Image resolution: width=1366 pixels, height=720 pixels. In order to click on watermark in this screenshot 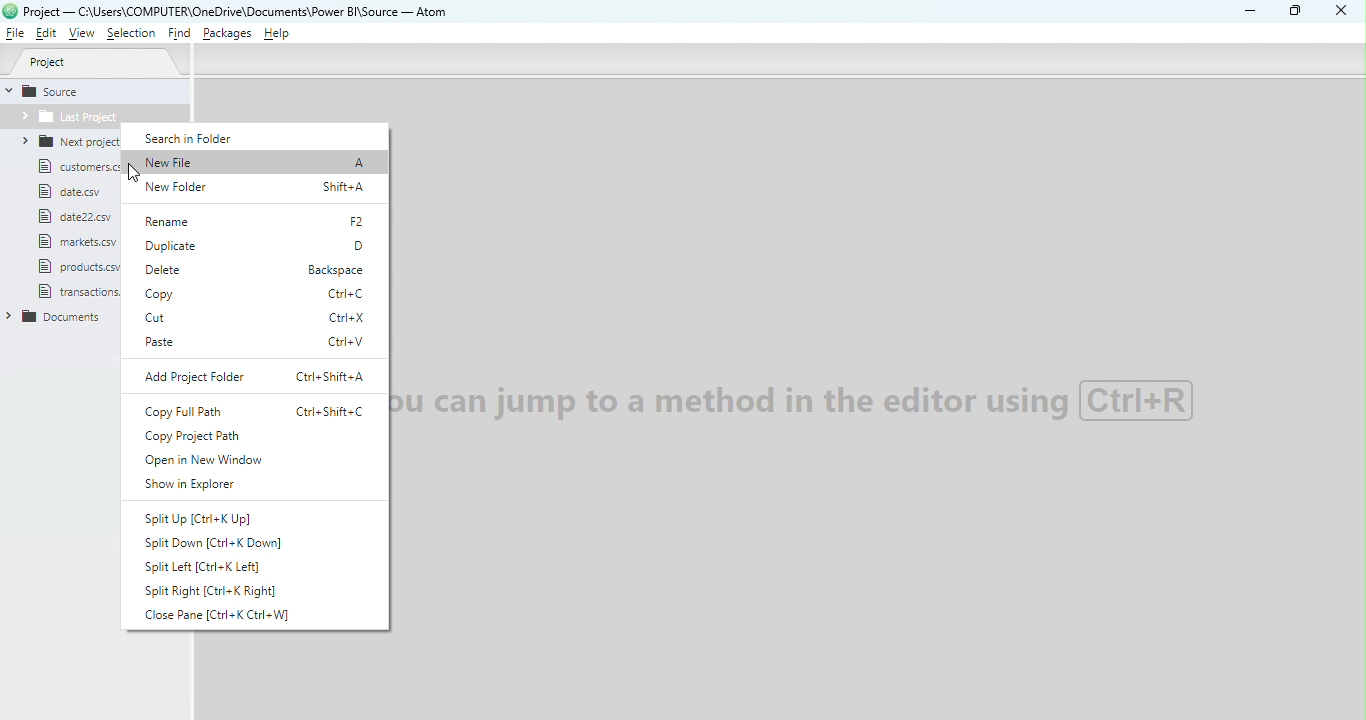, I will do `click(794, 411)`.